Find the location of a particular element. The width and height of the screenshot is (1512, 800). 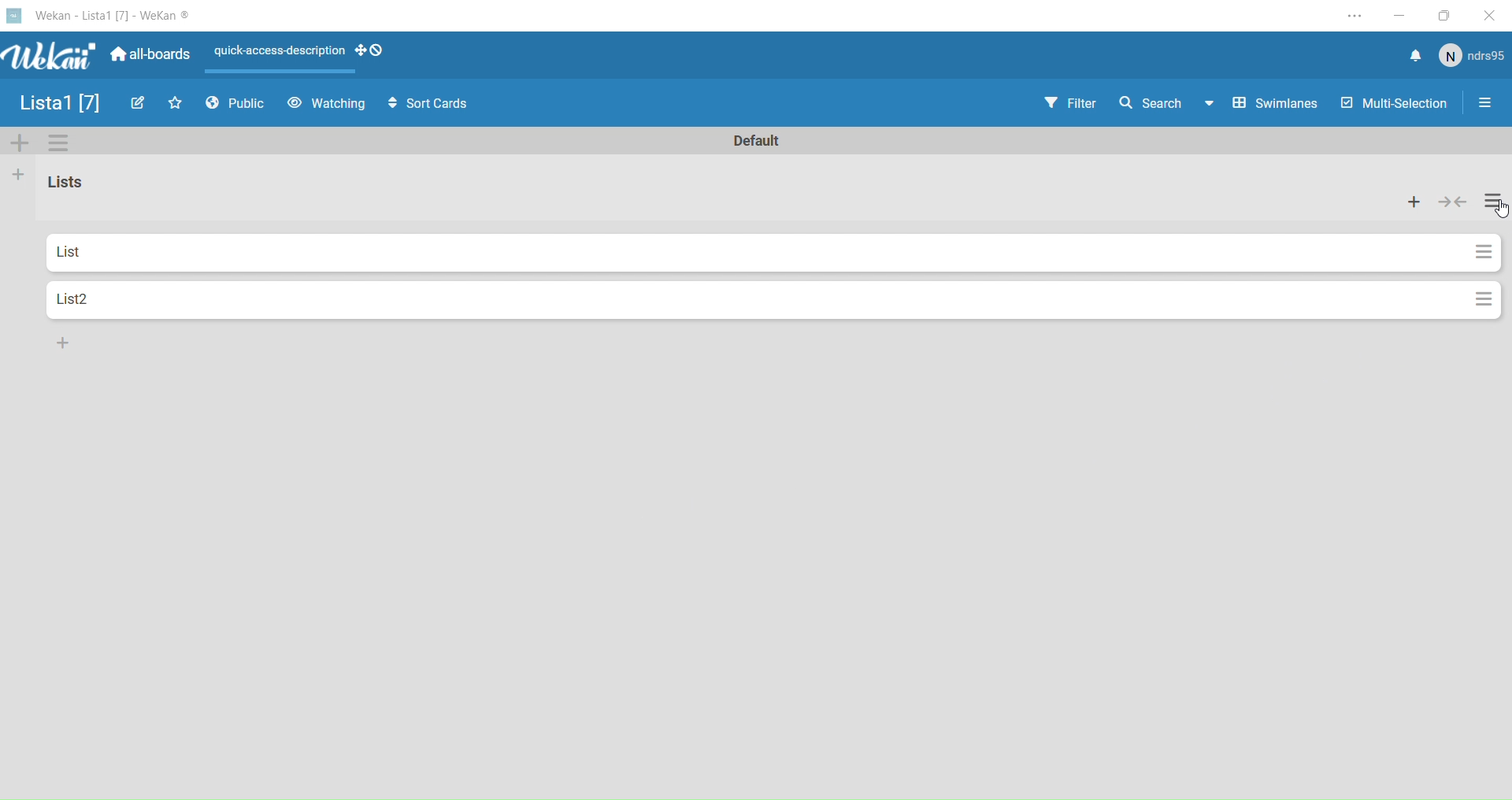

Add is located at coordinates (61, 343).